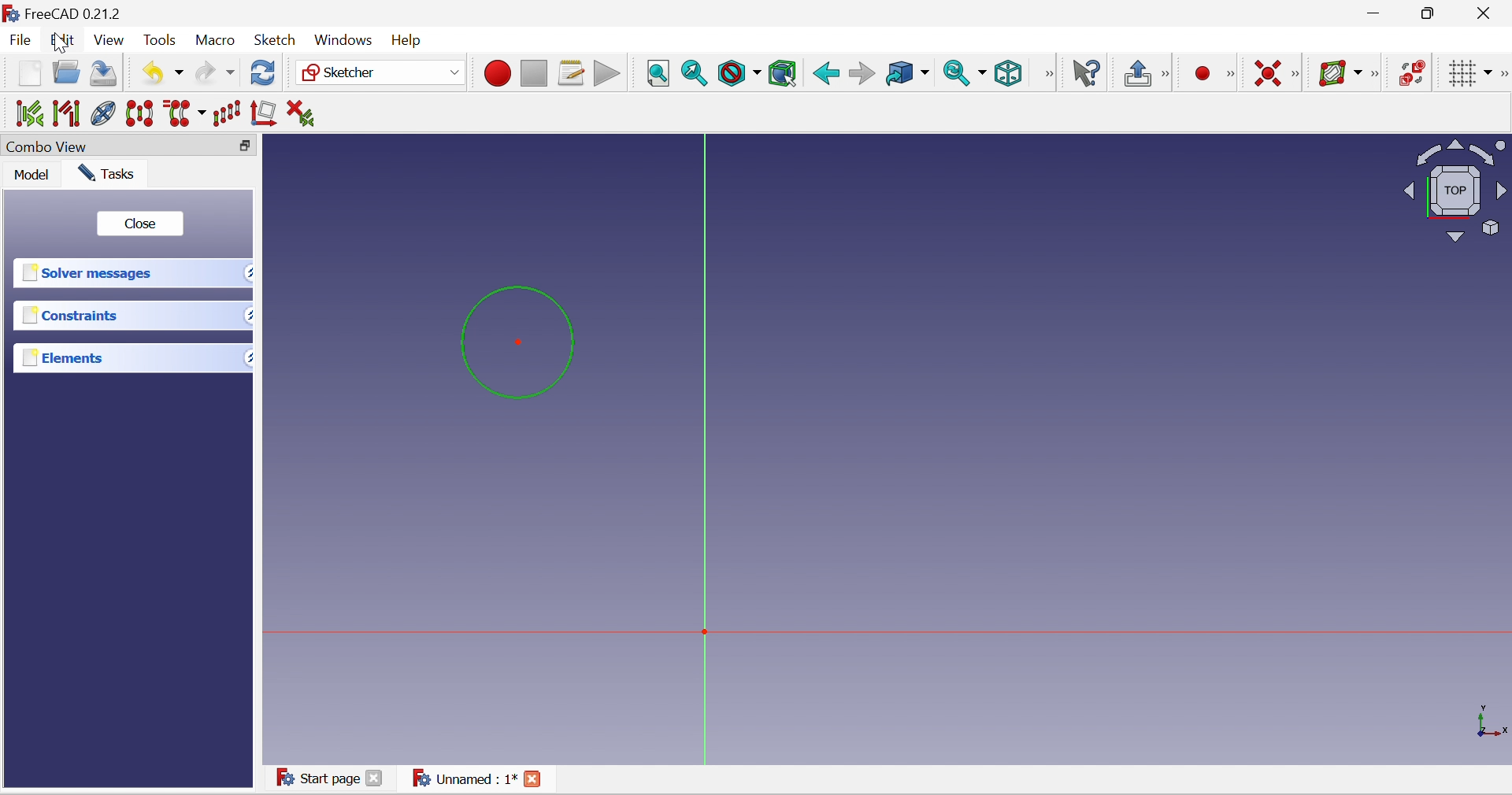 The width and height of the screenshot is (1512, 795). I want to click on Create point, so click(1199, 74).